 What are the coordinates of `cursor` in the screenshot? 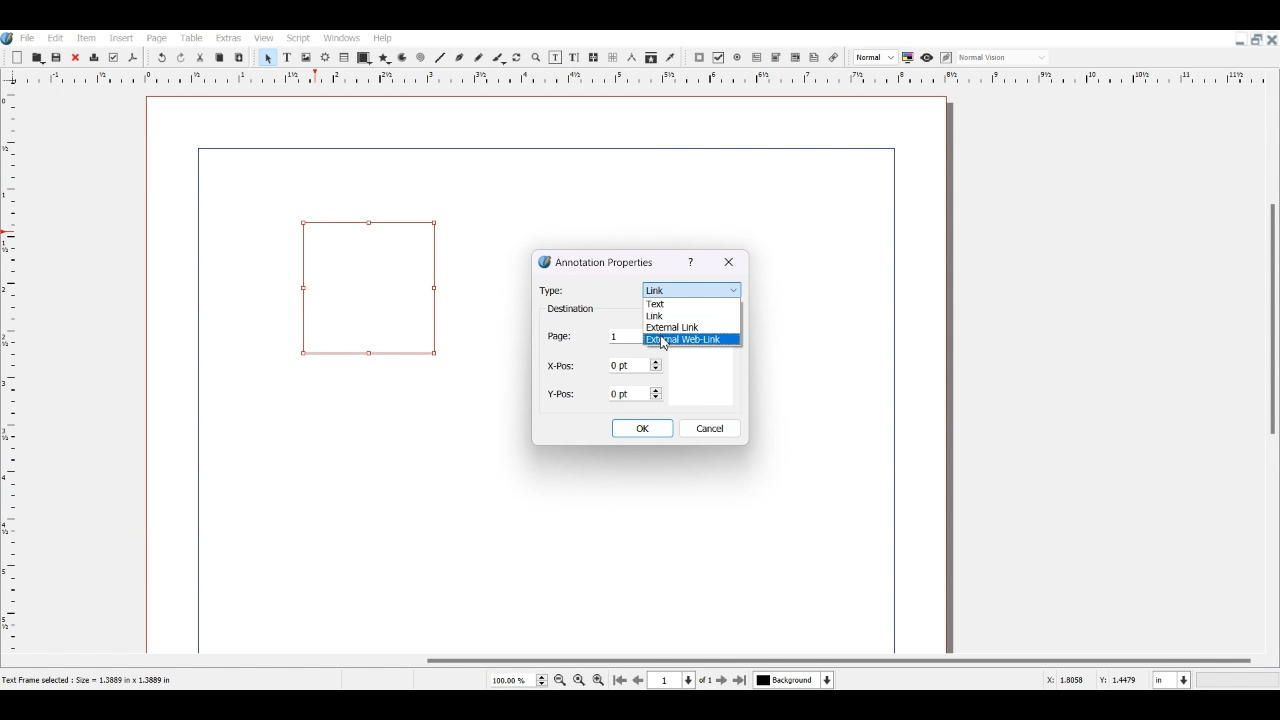 It's located at (668, 344).